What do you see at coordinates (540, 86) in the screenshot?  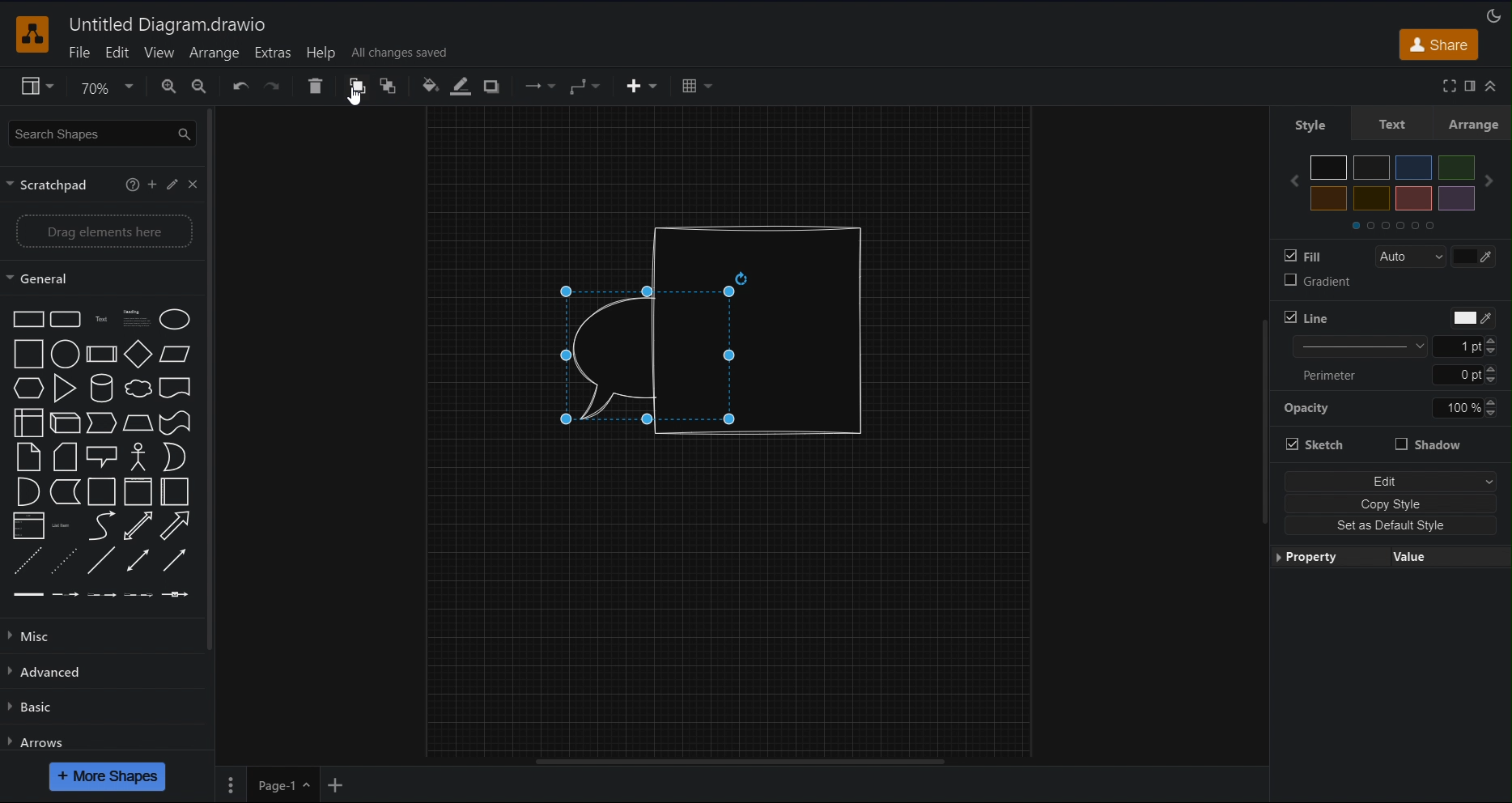 I see `Connection` at bounding box center [540, 86].